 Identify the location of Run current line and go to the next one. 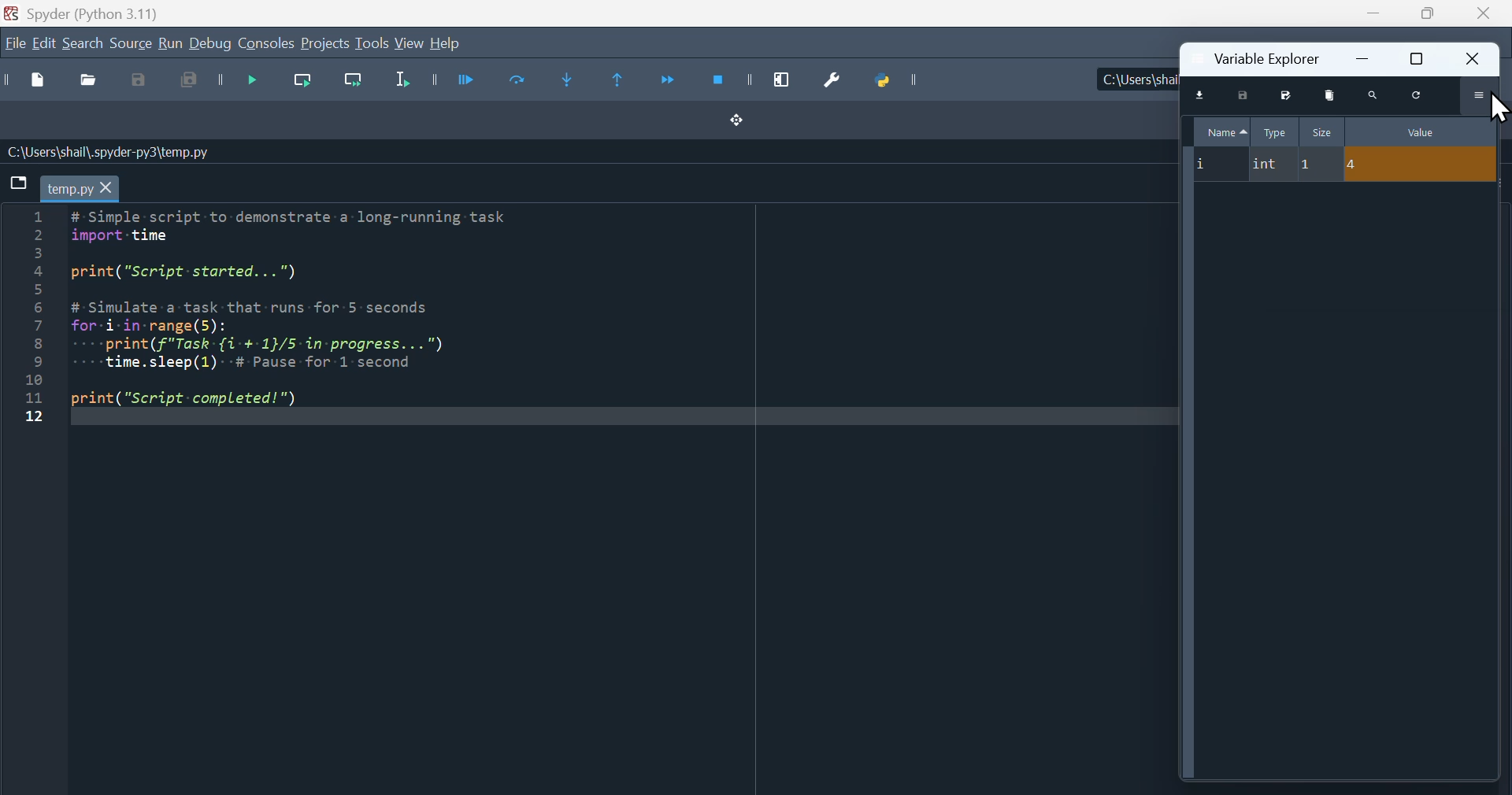
(352, 85).